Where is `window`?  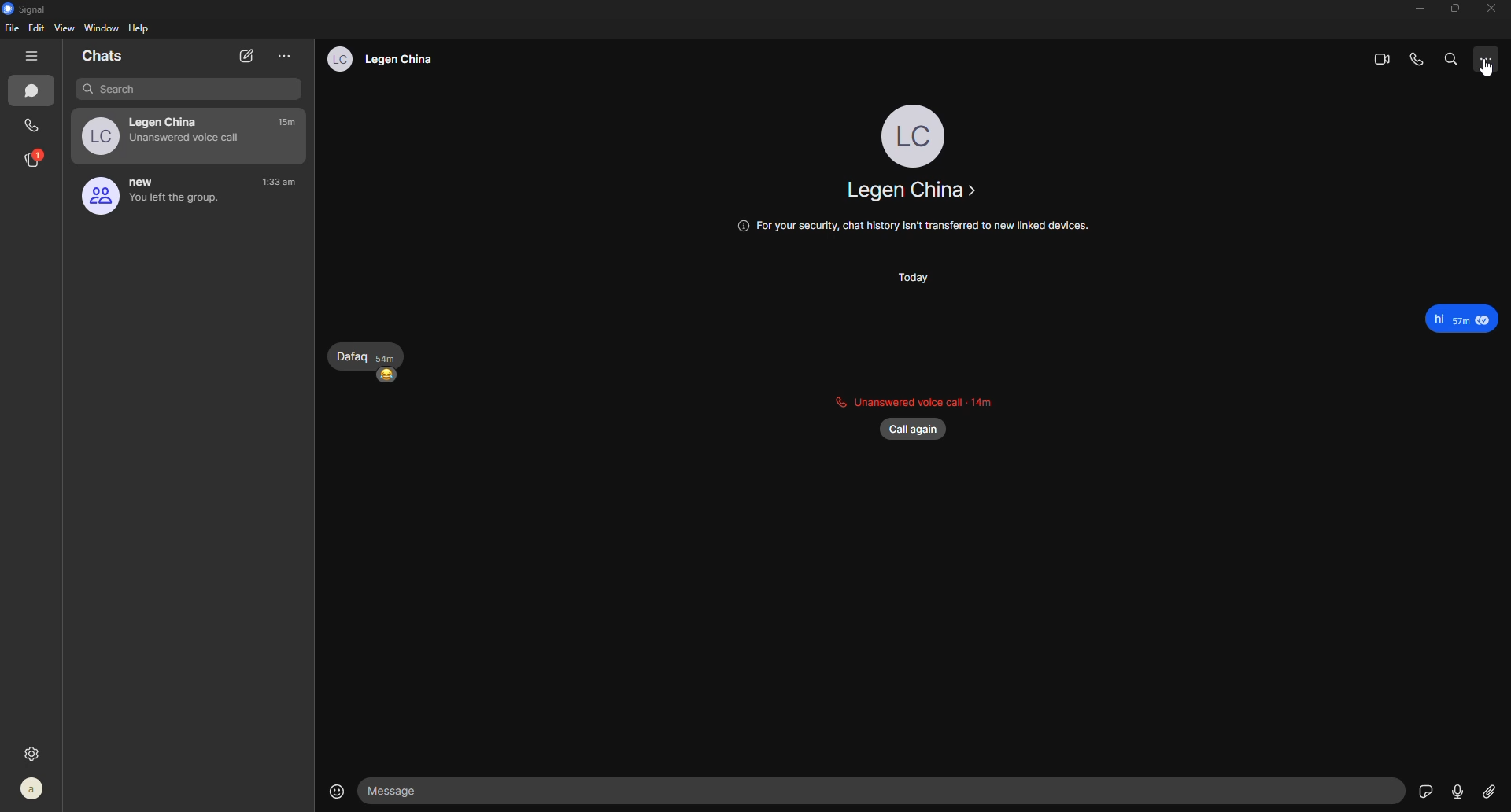 window is located at coordinates (103, 28).